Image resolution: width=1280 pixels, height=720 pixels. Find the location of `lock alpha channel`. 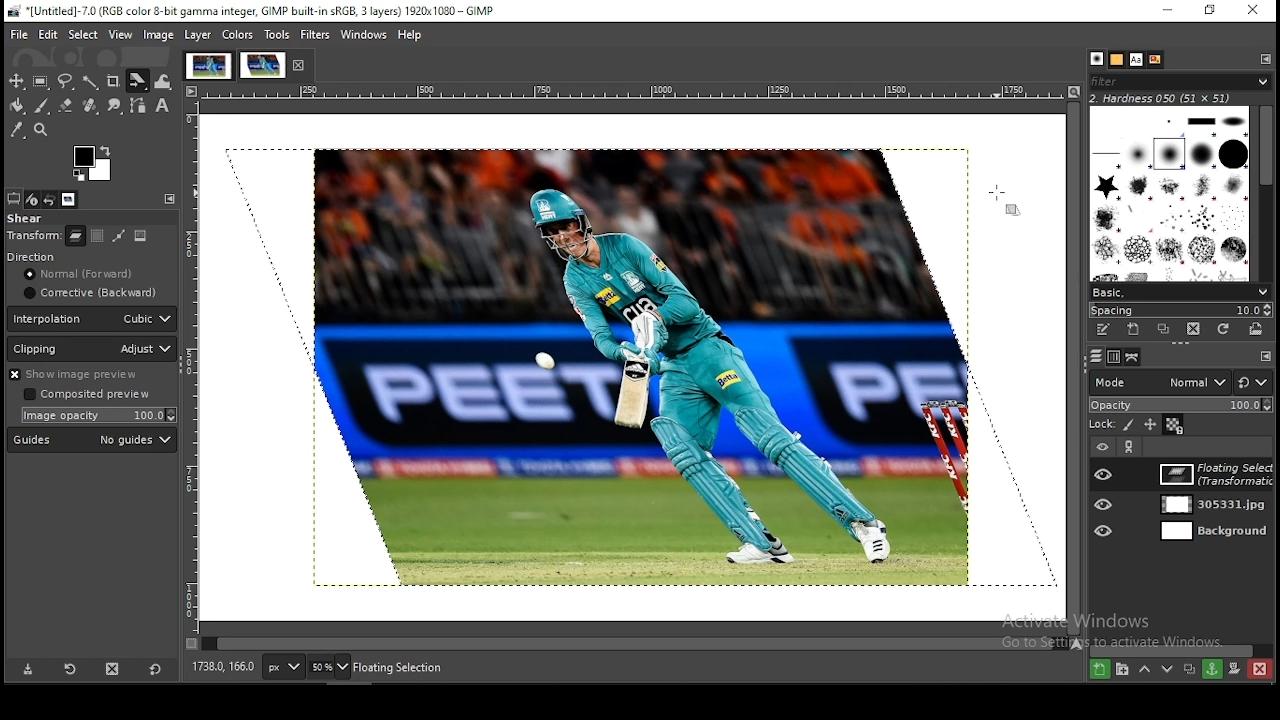

lock alpha channel is located at coordinates (1174, 426).